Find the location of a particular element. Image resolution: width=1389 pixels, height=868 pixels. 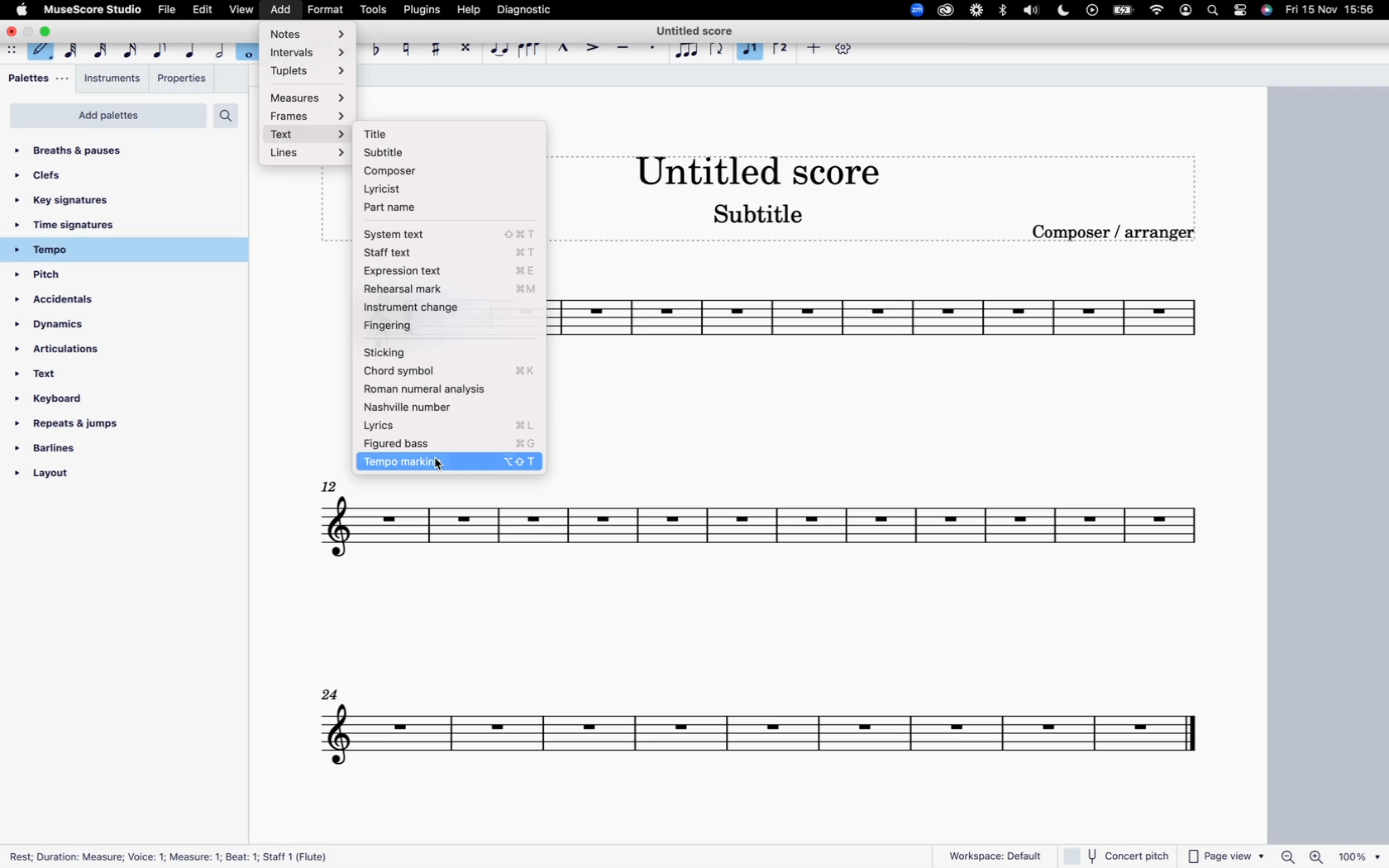

rehearsal mark is located at coordinates (452, 288).